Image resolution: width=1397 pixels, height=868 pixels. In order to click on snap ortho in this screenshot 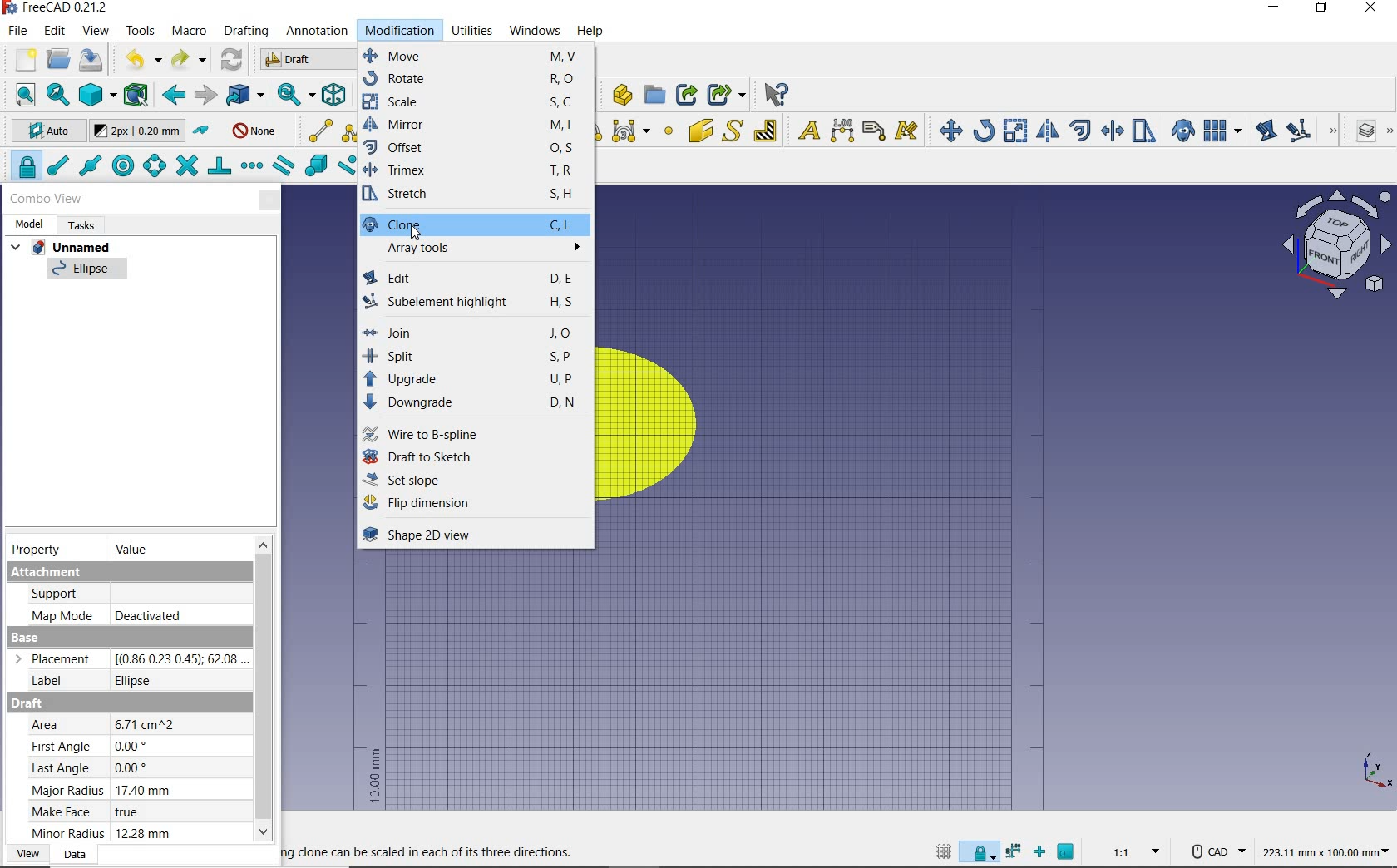, I will do `click(1039, 851)`.